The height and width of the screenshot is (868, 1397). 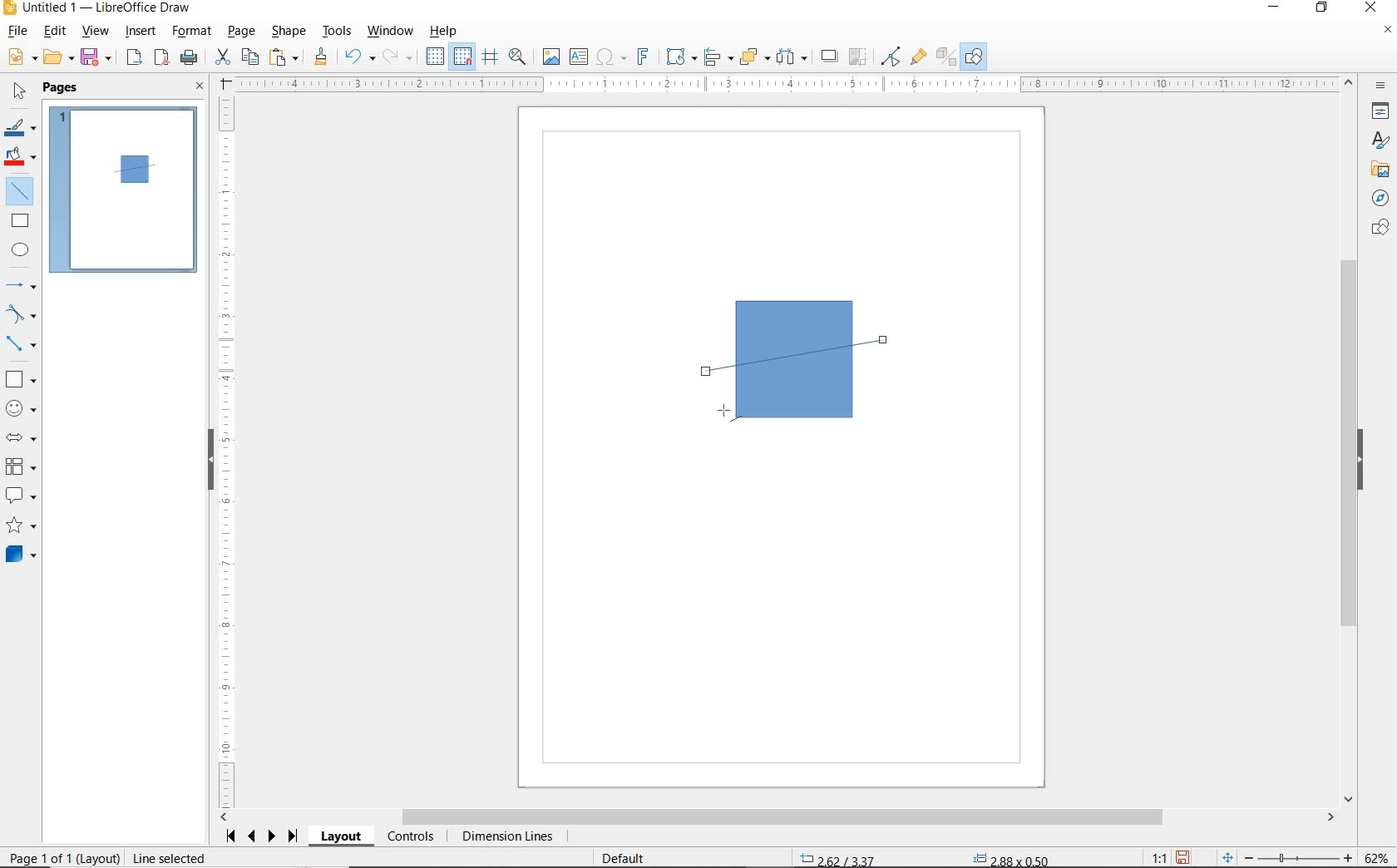 What do you see at coordinates (22, 159) in the screenshot?
I see `FILL COLOR` at bounding box center [22, 159].